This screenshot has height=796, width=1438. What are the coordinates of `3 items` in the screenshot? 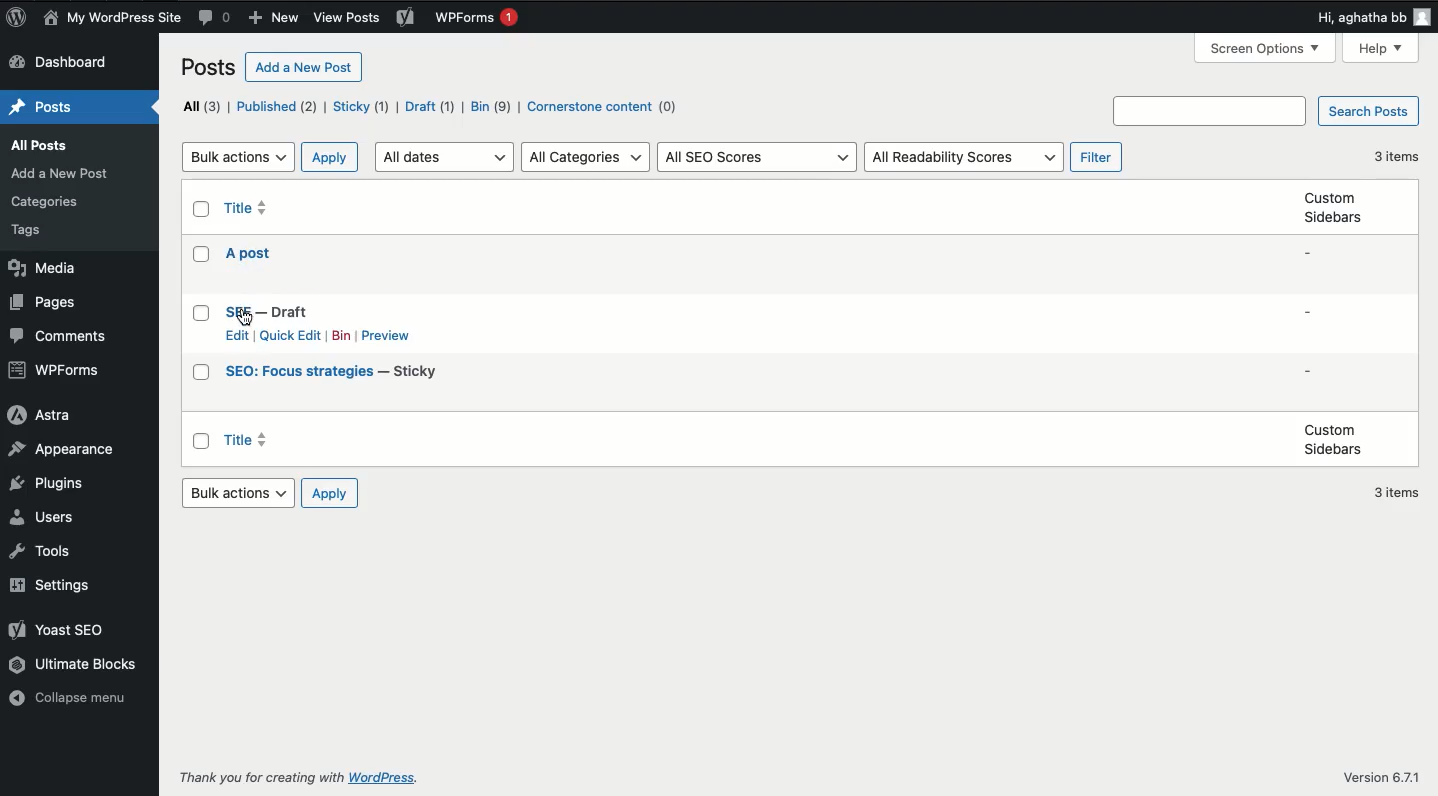 It's located at (1397, 159).